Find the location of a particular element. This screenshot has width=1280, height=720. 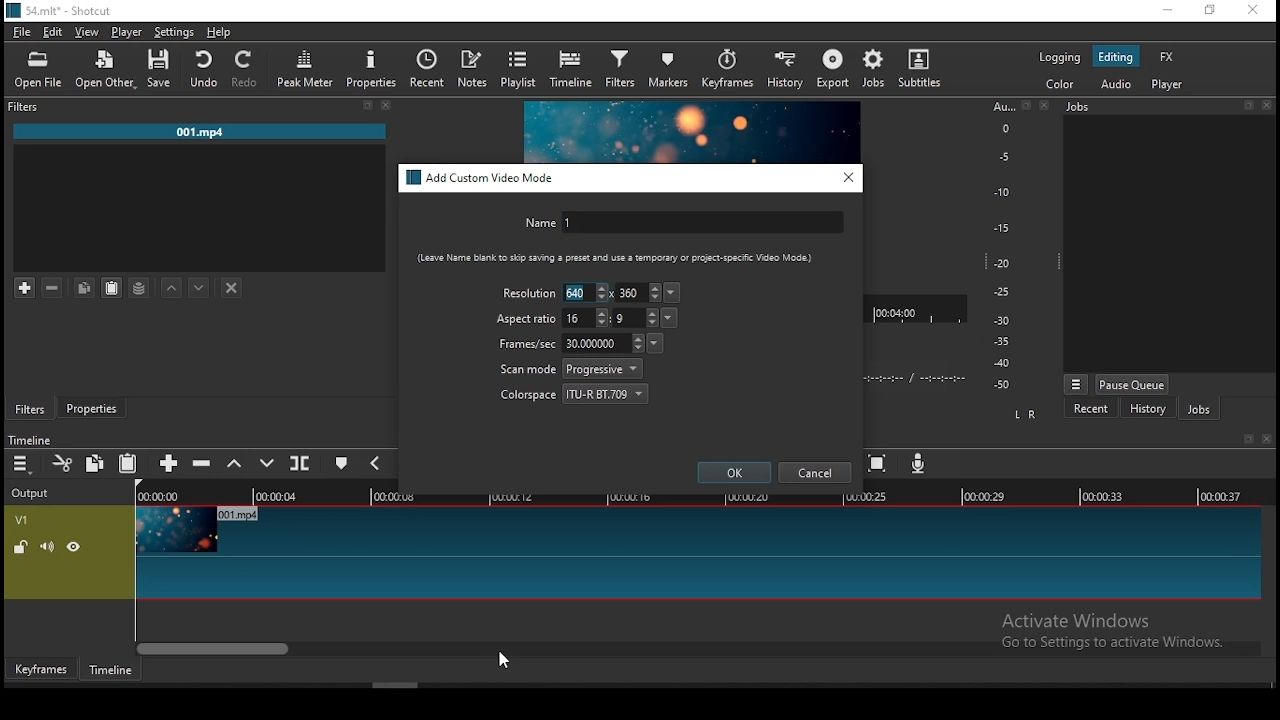

frames per second presets is located at coordinates (654, 342).